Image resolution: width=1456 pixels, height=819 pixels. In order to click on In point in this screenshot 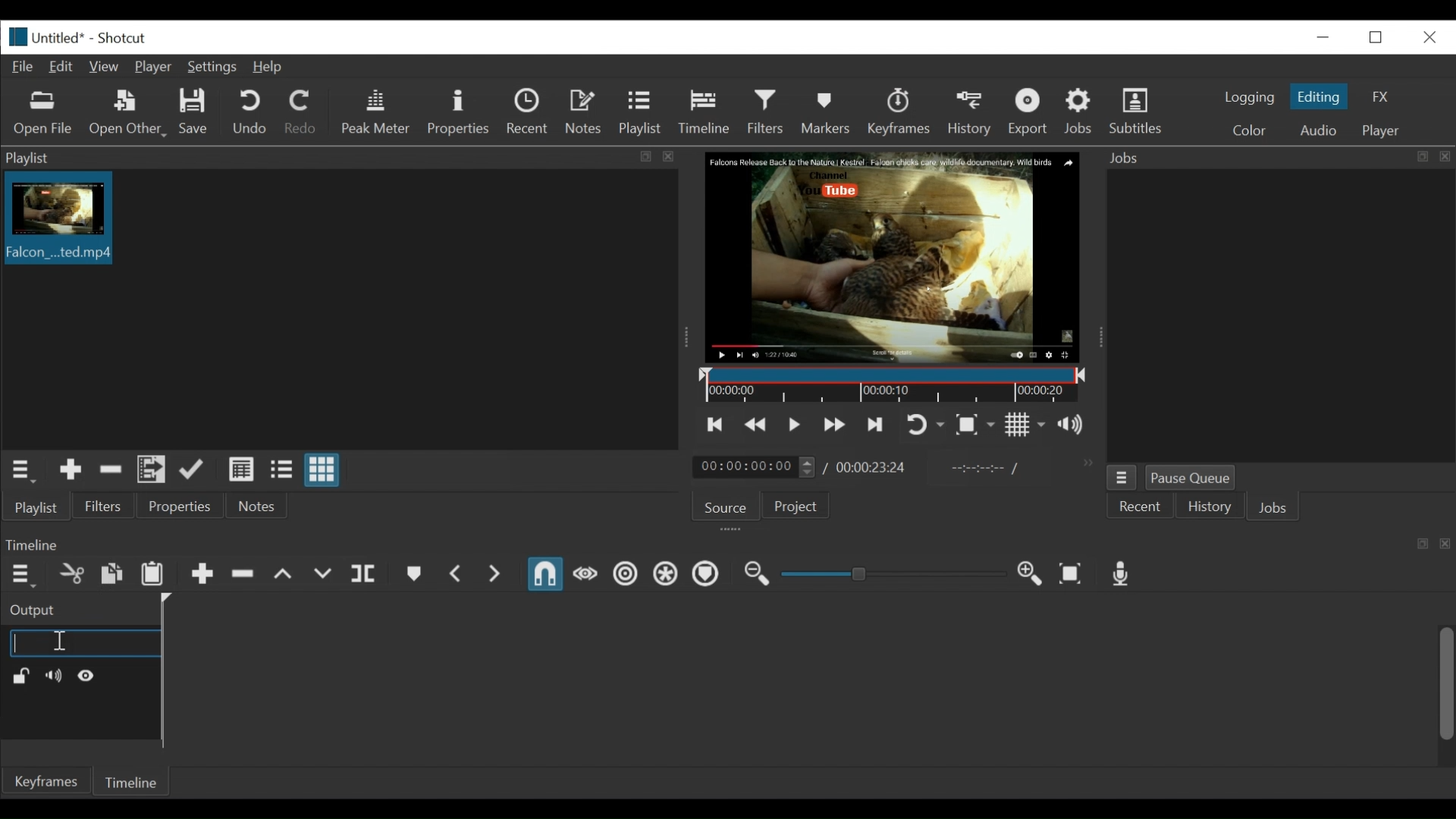, I will do `click(985, 470)`.